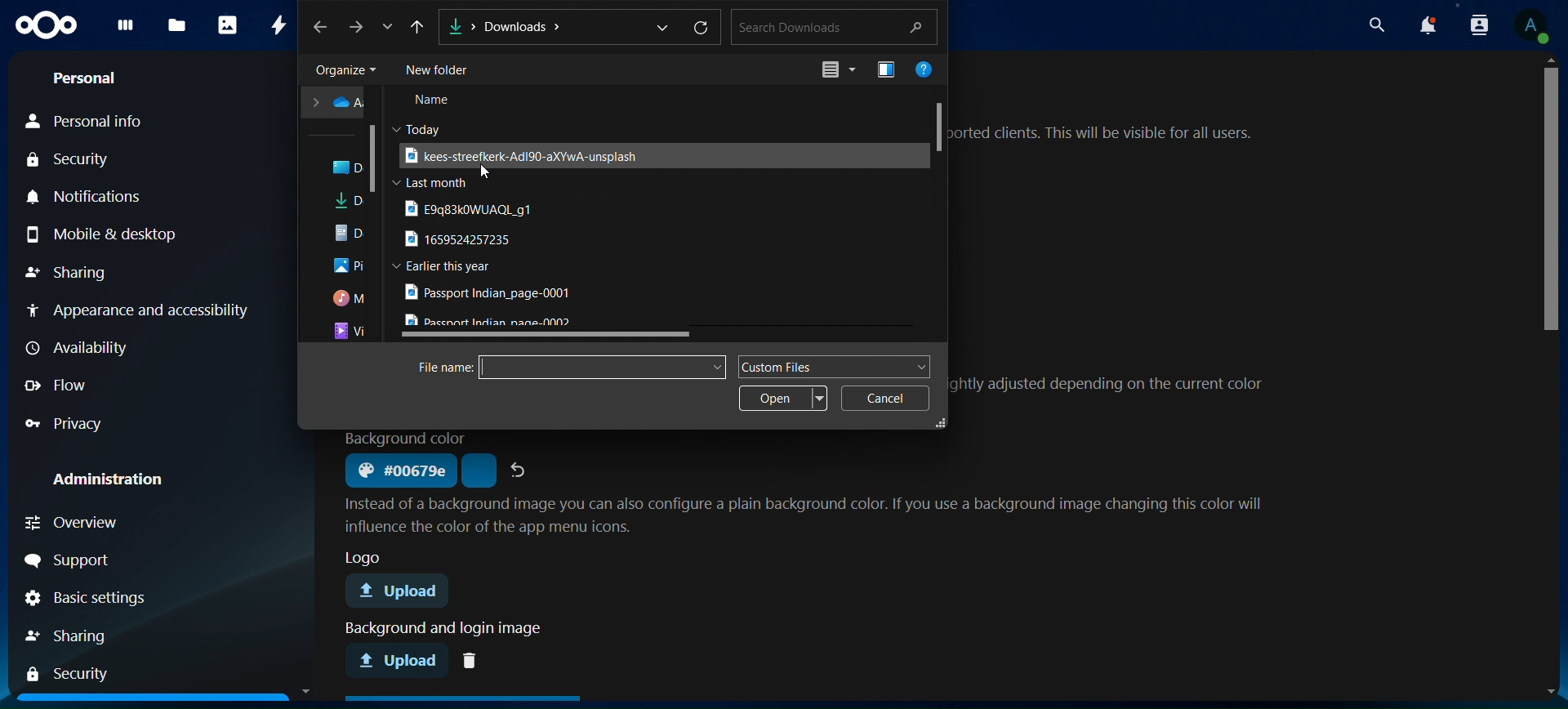  I want to click on videos, so click(350, 332).